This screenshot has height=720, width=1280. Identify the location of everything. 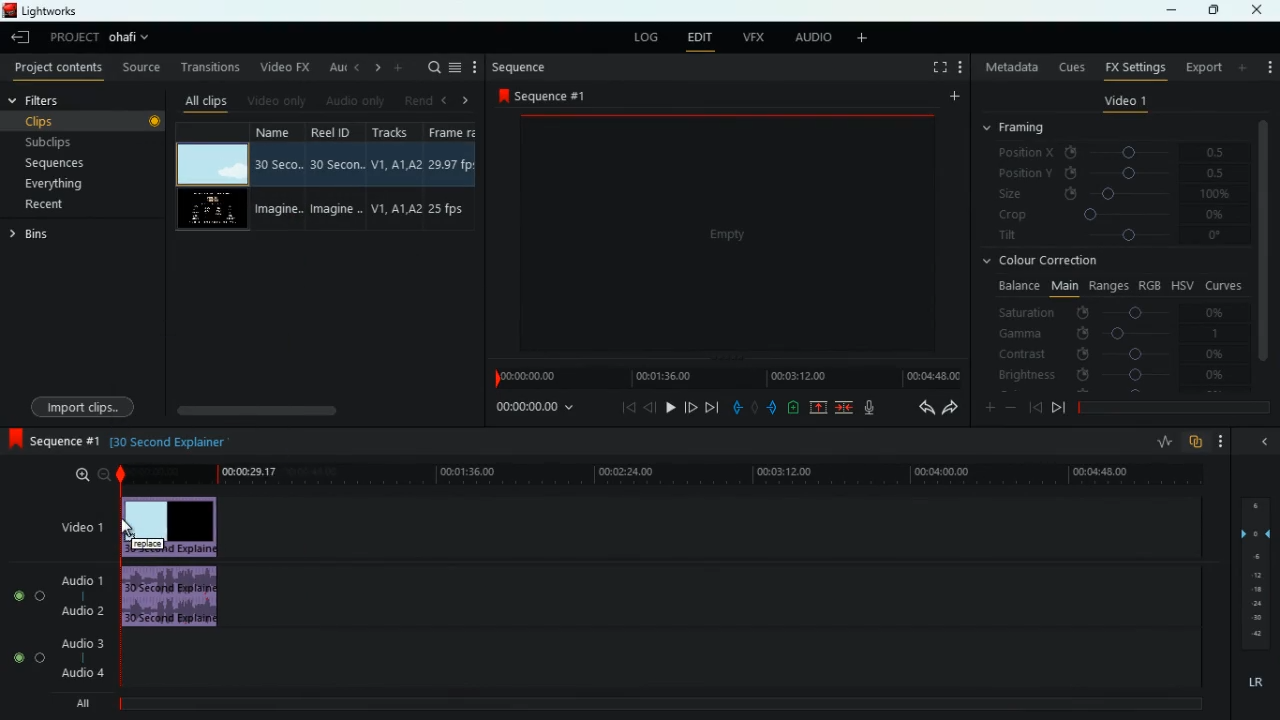
(57, 186).